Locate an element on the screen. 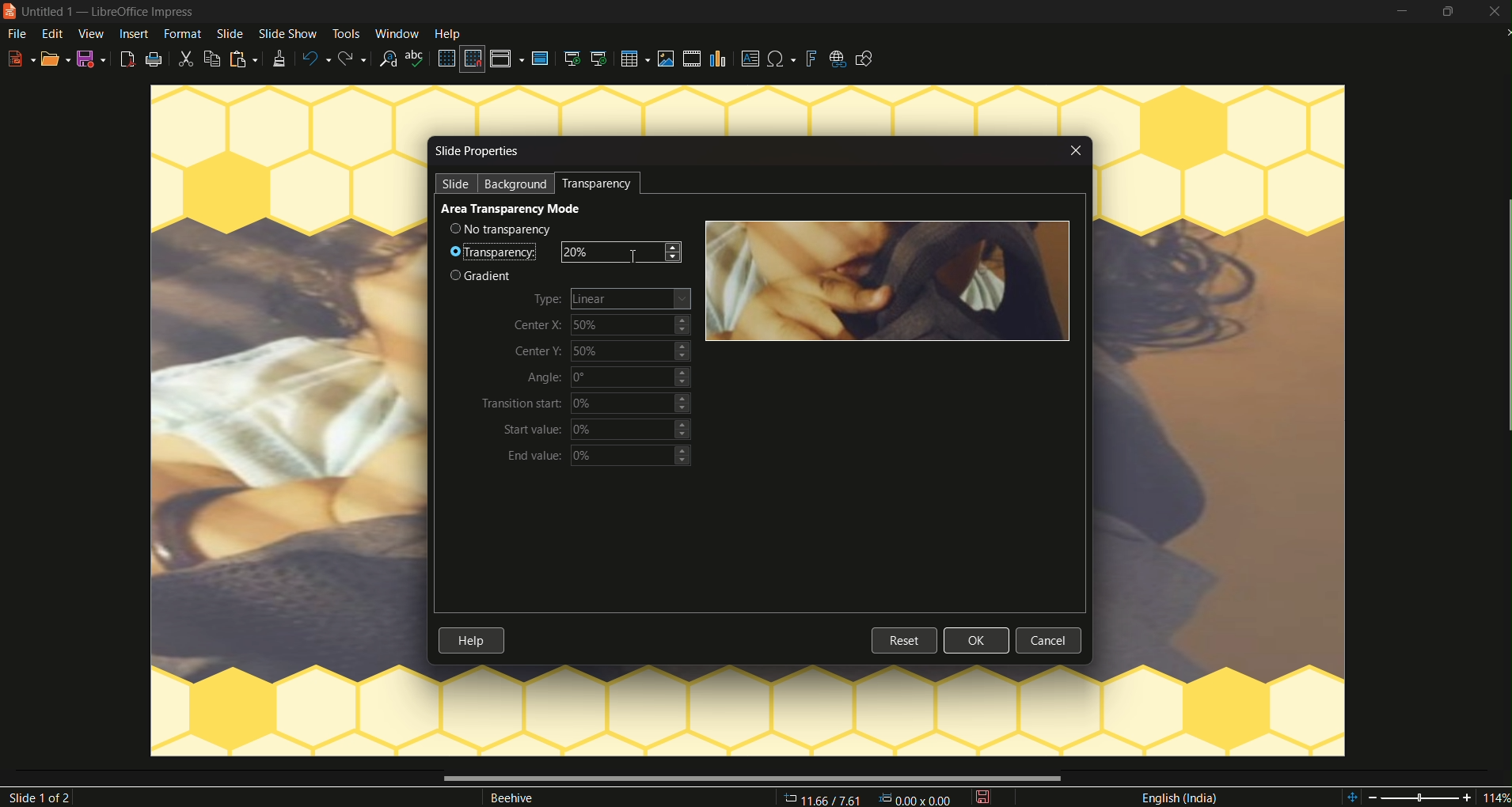  close is located at coordinates (1078, 150).